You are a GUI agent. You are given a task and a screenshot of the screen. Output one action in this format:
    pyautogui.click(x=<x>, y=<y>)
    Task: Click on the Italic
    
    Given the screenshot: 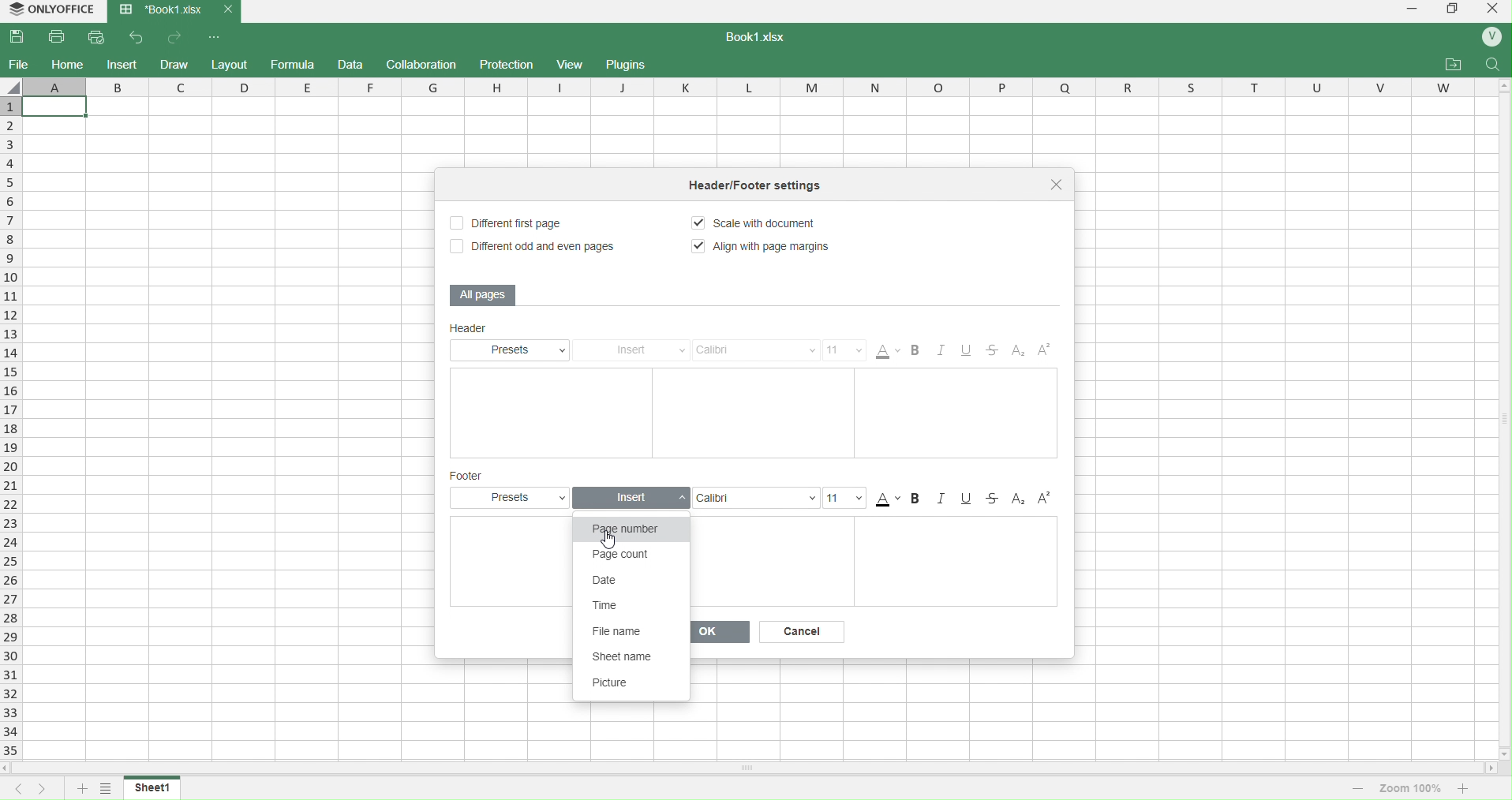 What is the action you would take?
    pyautogui.click(x=945, y=499)
    